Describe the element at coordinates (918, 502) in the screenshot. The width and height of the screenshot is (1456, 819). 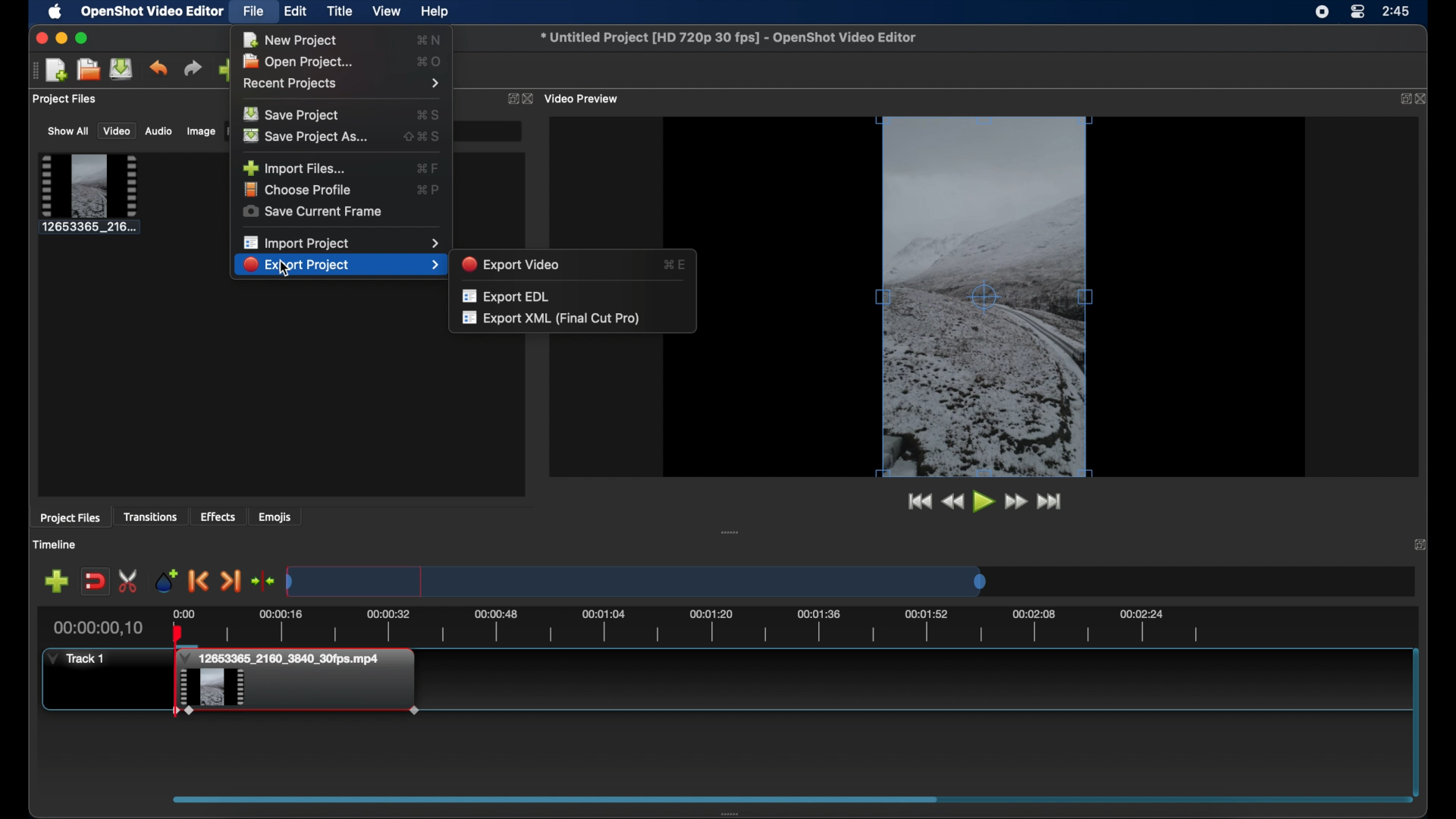
I see `jump to start` at that location.